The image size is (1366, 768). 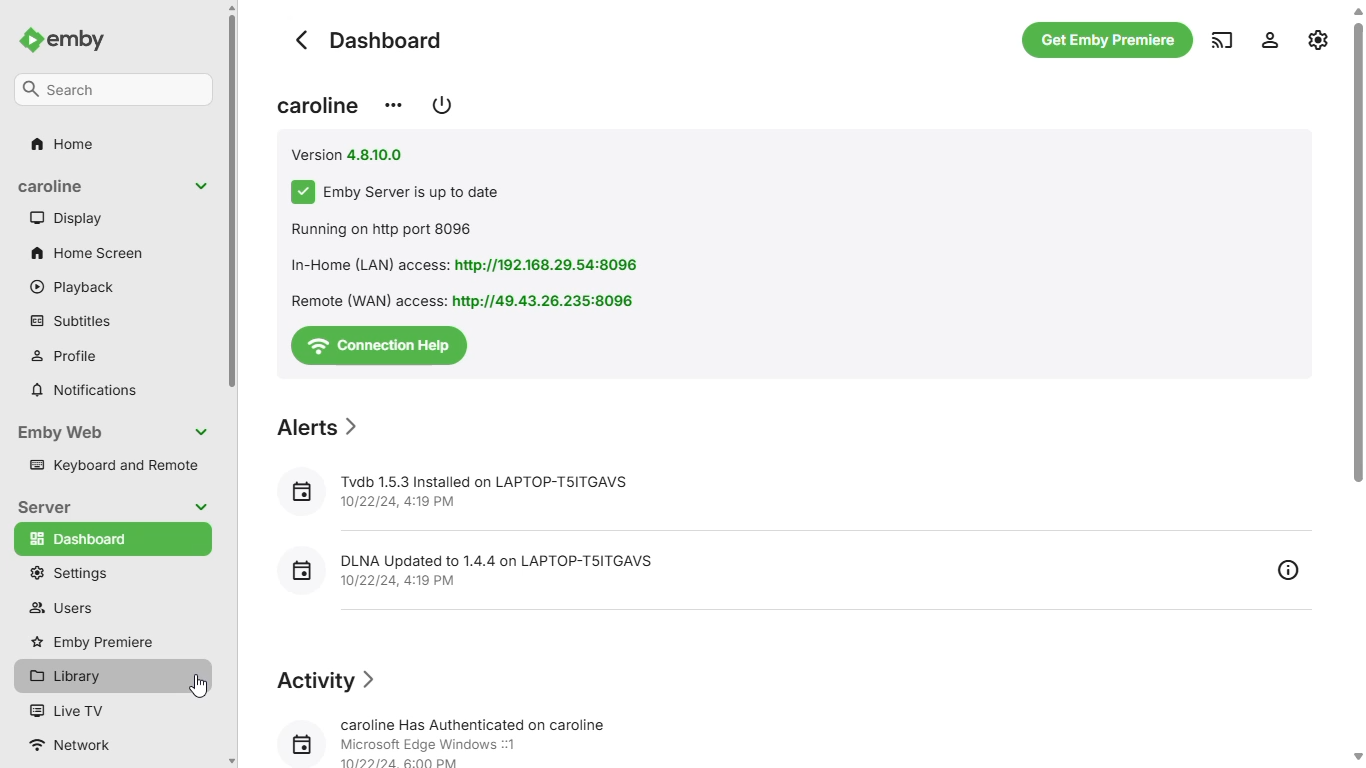 What do you see at coordinates (84, 391) in the screenshot?
I see `notifications` at bounding box center [84, 391].